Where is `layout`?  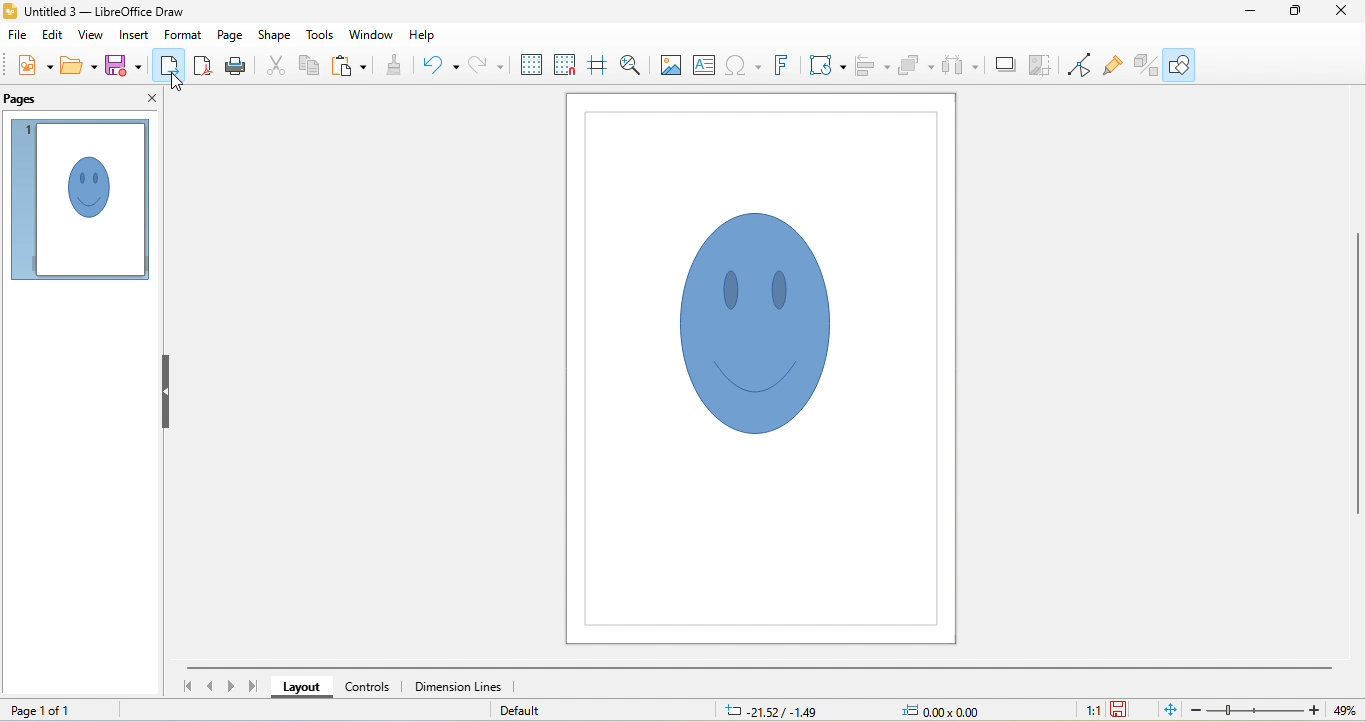
layout is located at coordinates (304, 690).